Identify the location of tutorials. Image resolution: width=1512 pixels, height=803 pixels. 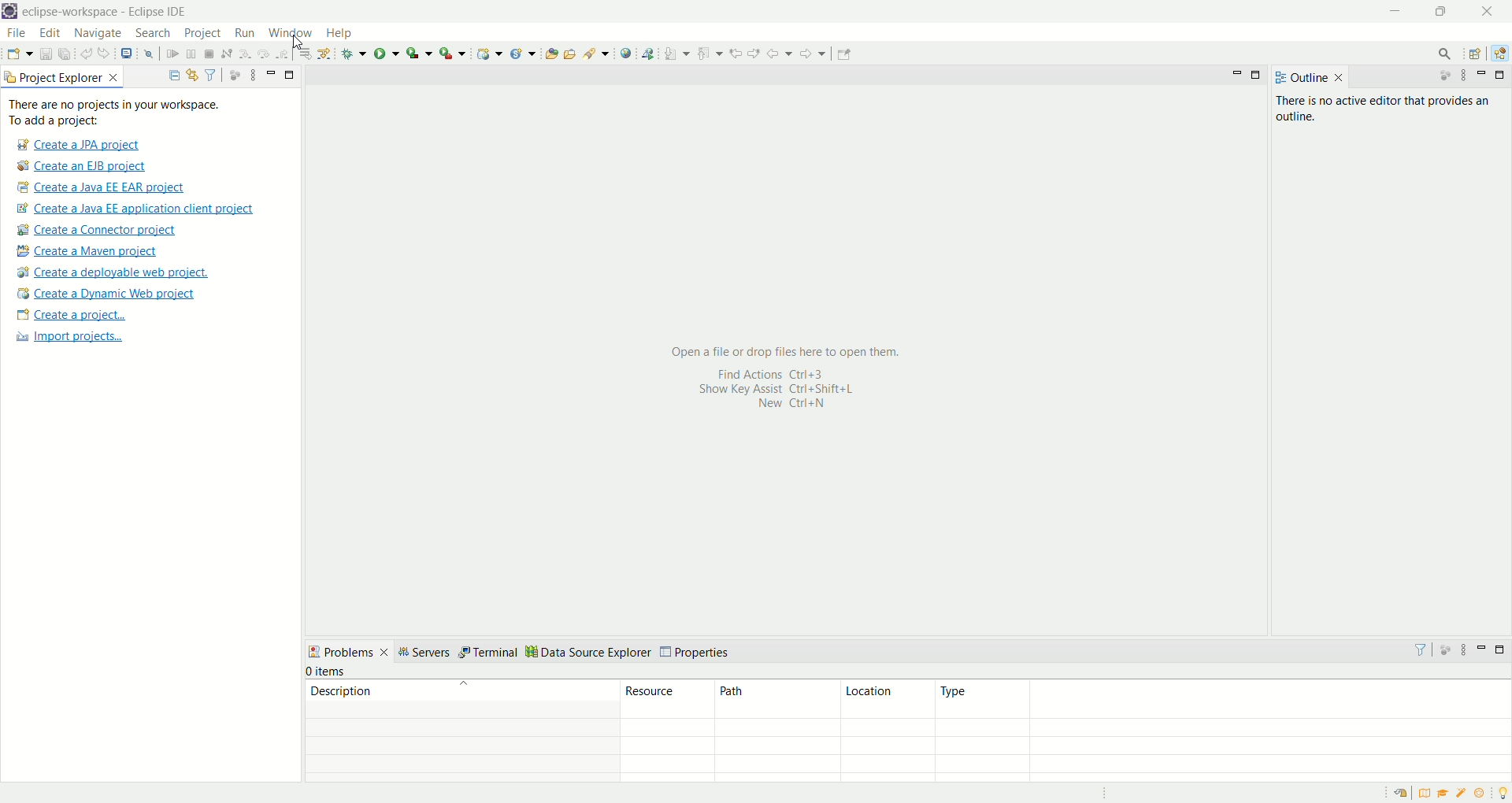
(1443, 794).